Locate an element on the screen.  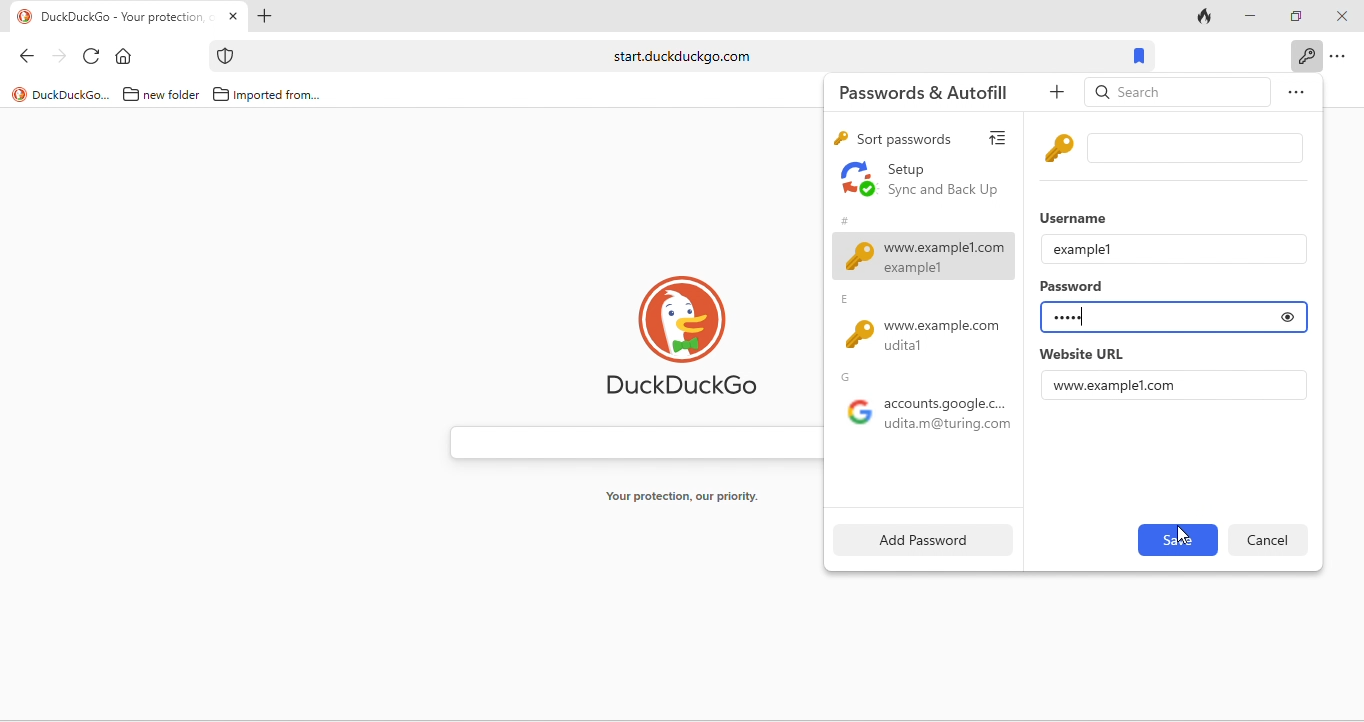
google accounts is located at coordinates (923, 418).